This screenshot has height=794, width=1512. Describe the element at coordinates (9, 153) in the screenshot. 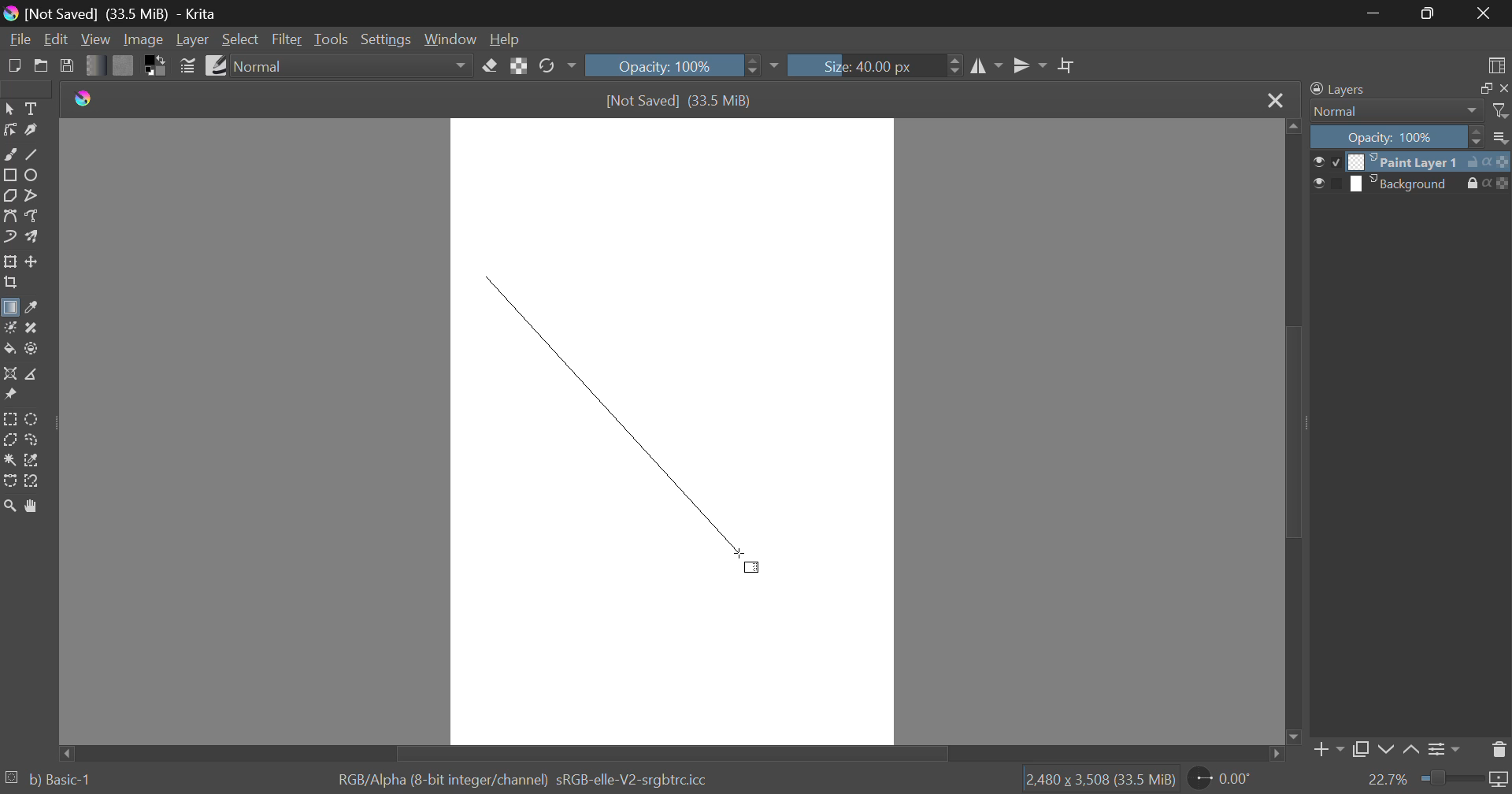

I see `Freehand` at that location.